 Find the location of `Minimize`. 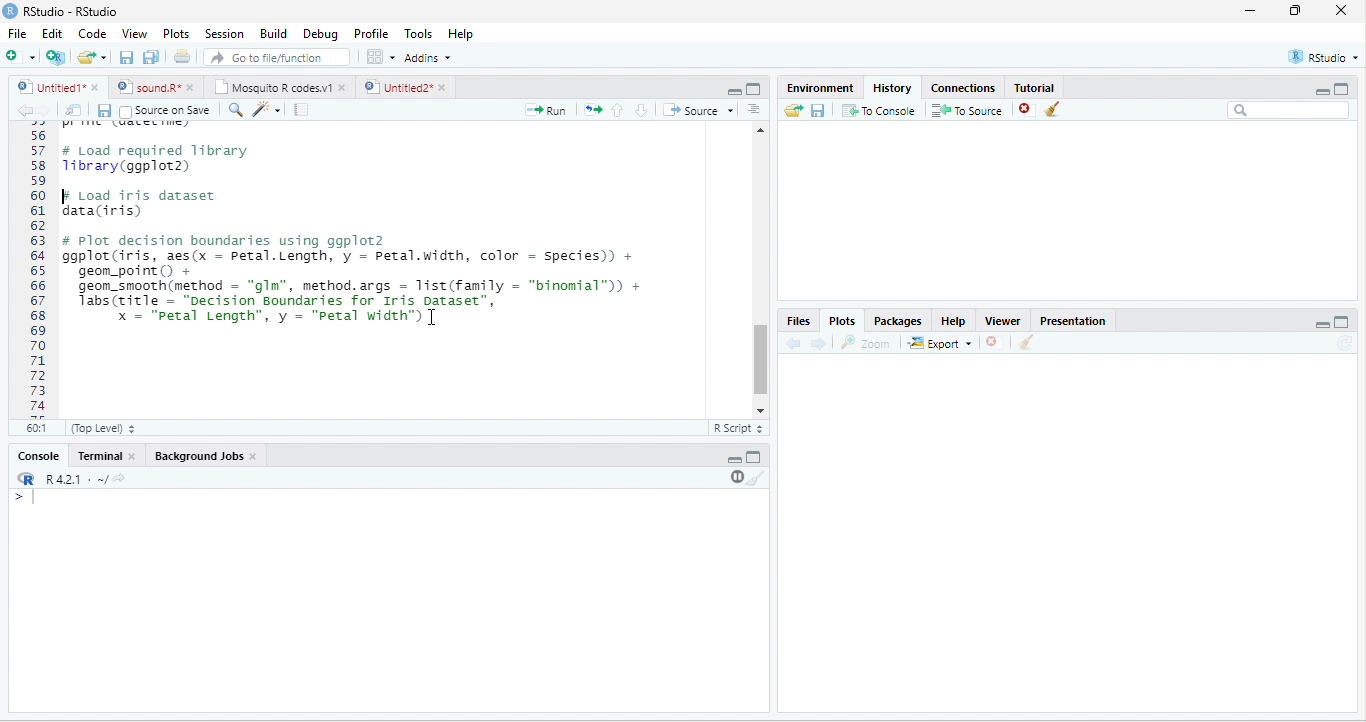

Minimize is located at coordinates (1322, 326).